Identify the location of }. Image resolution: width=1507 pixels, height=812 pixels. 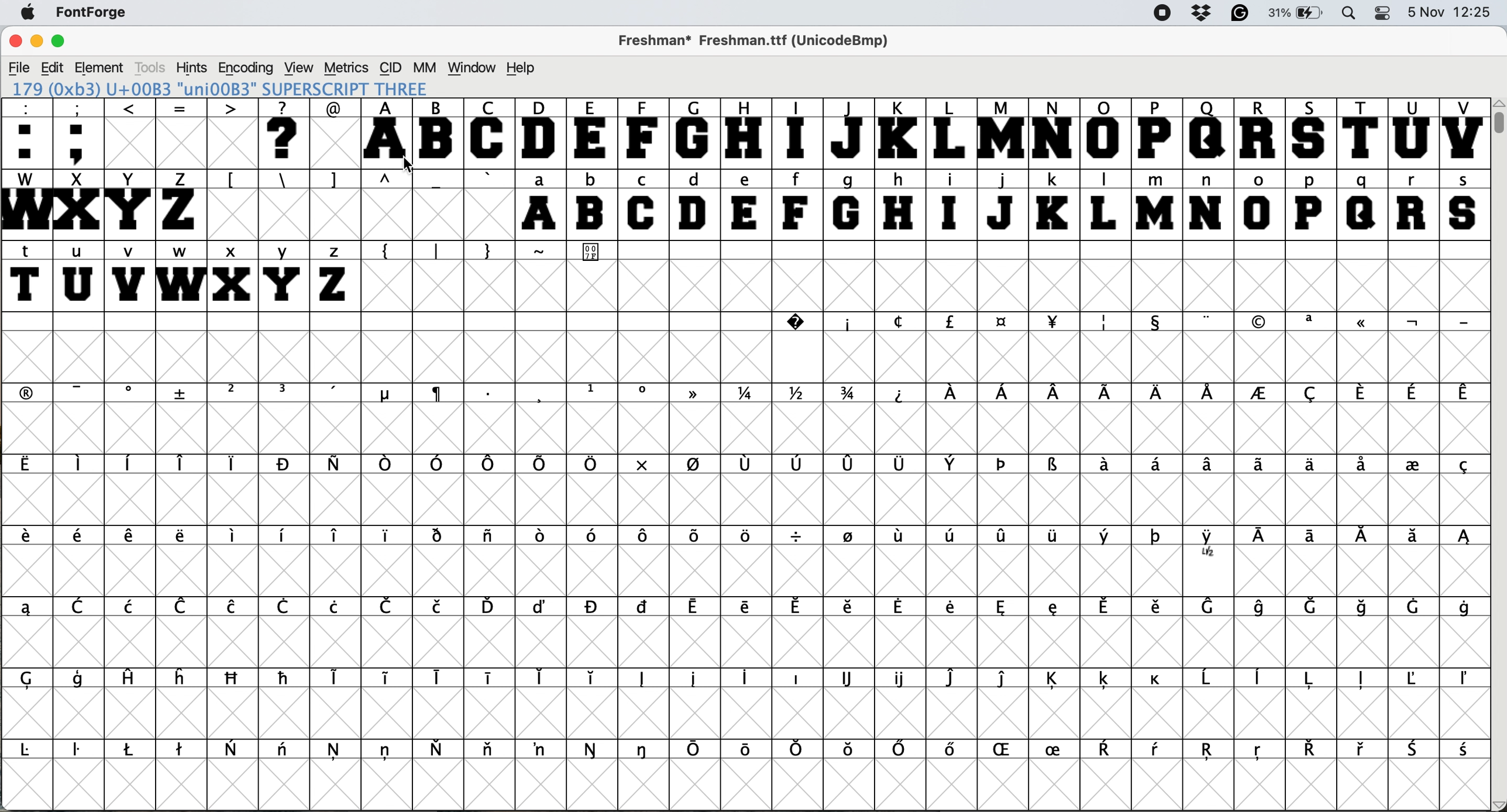
(488, 250).